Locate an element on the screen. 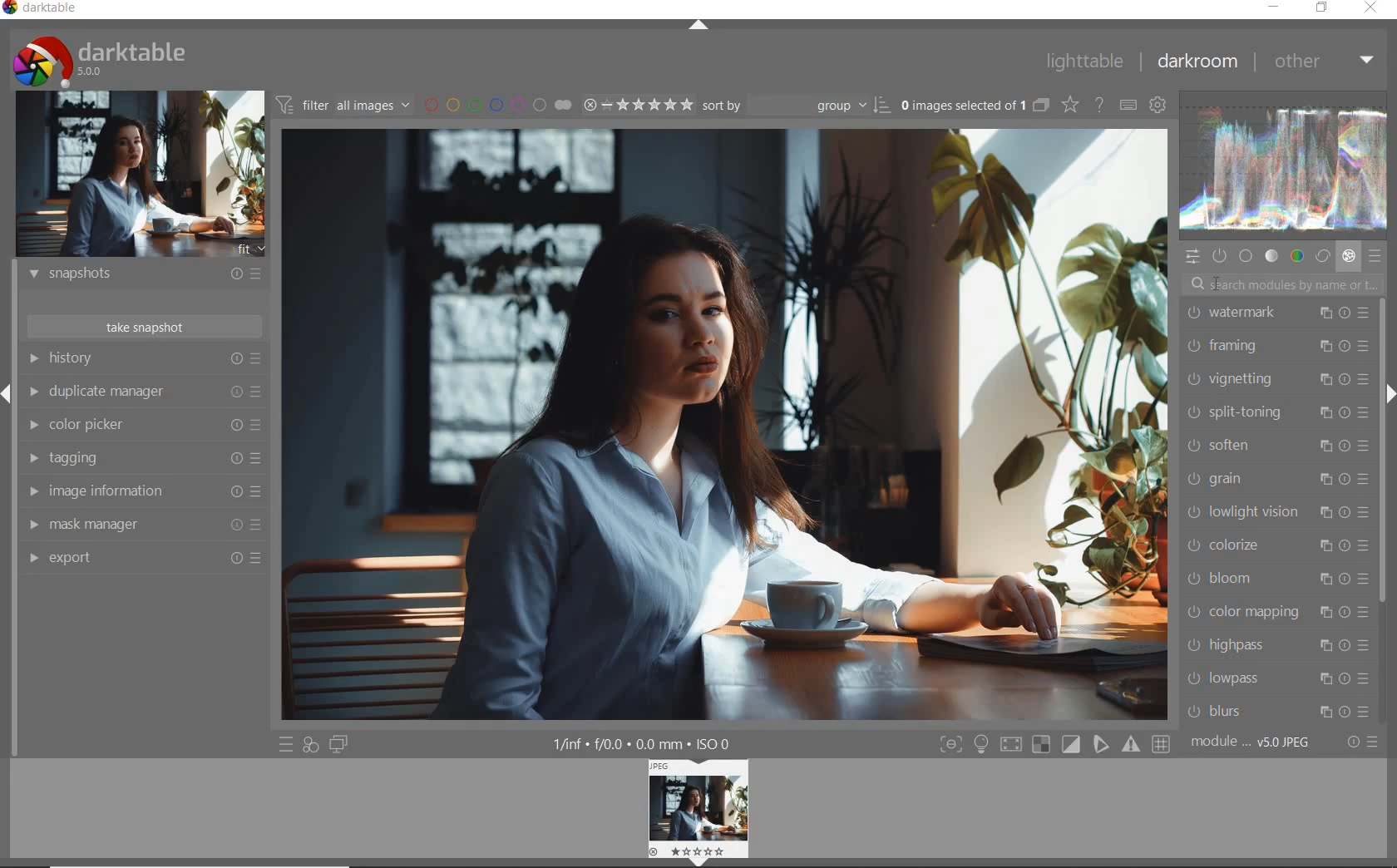 The height and width of the screenshot is (868, 1397). range rating of selected images is located at coordinates (638, 105).